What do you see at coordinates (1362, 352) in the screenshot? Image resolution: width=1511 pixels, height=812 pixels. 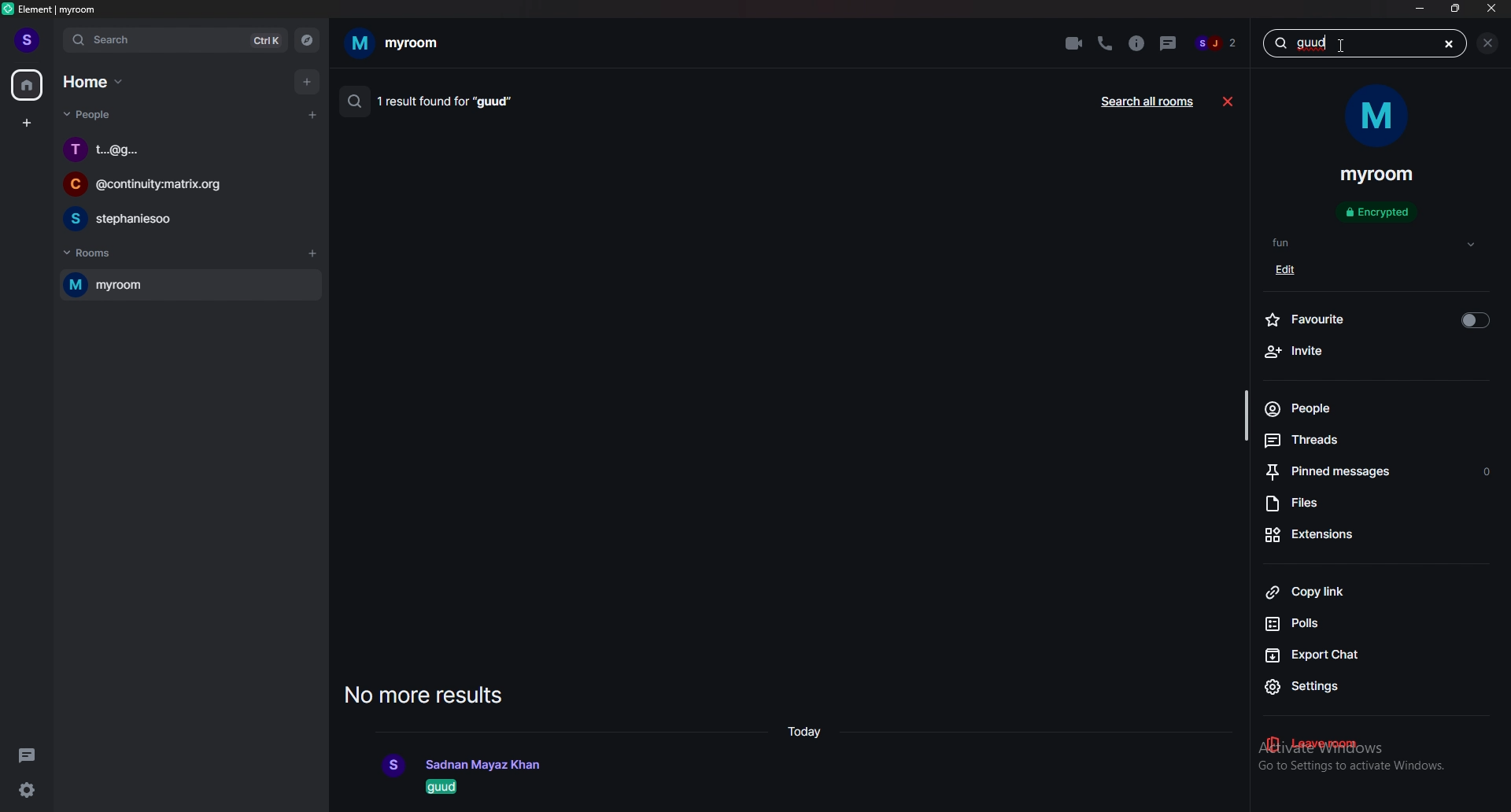 I see `invite` at bounding box center [1362, 352].